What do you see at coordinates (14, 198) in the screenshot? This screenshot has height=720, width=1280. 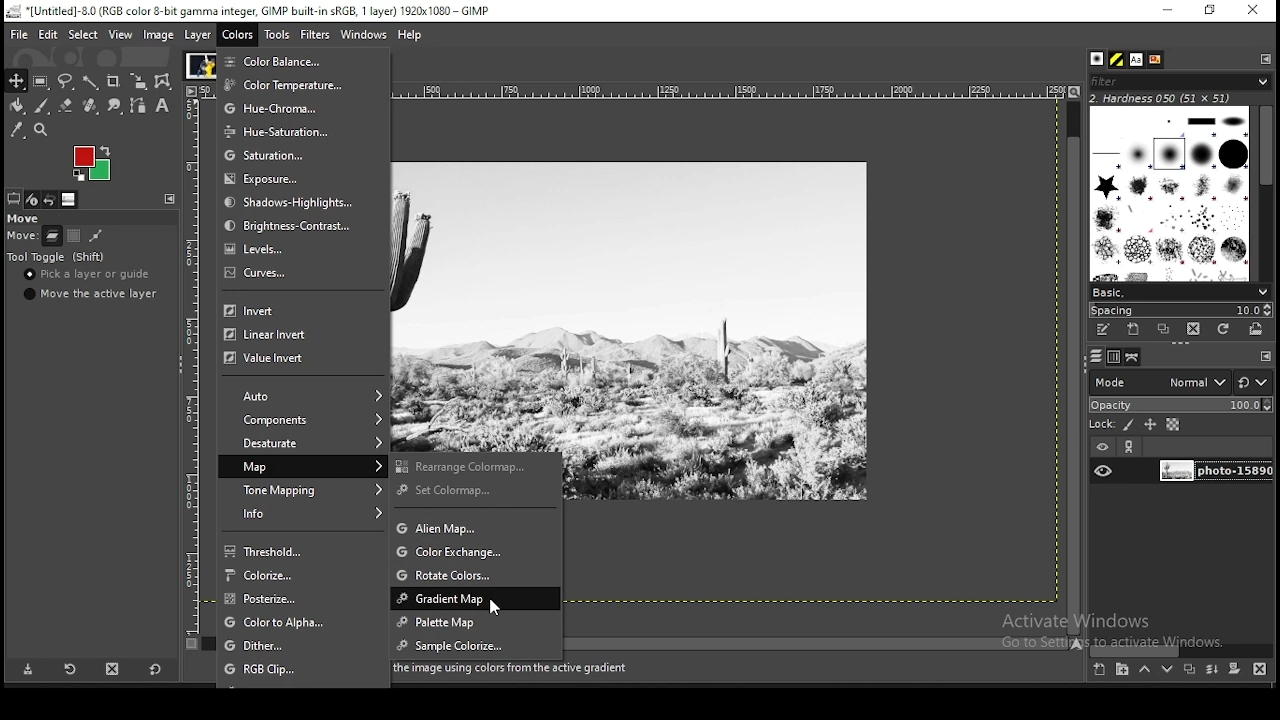 I see `tool selection` at bounding box center [14, 198].